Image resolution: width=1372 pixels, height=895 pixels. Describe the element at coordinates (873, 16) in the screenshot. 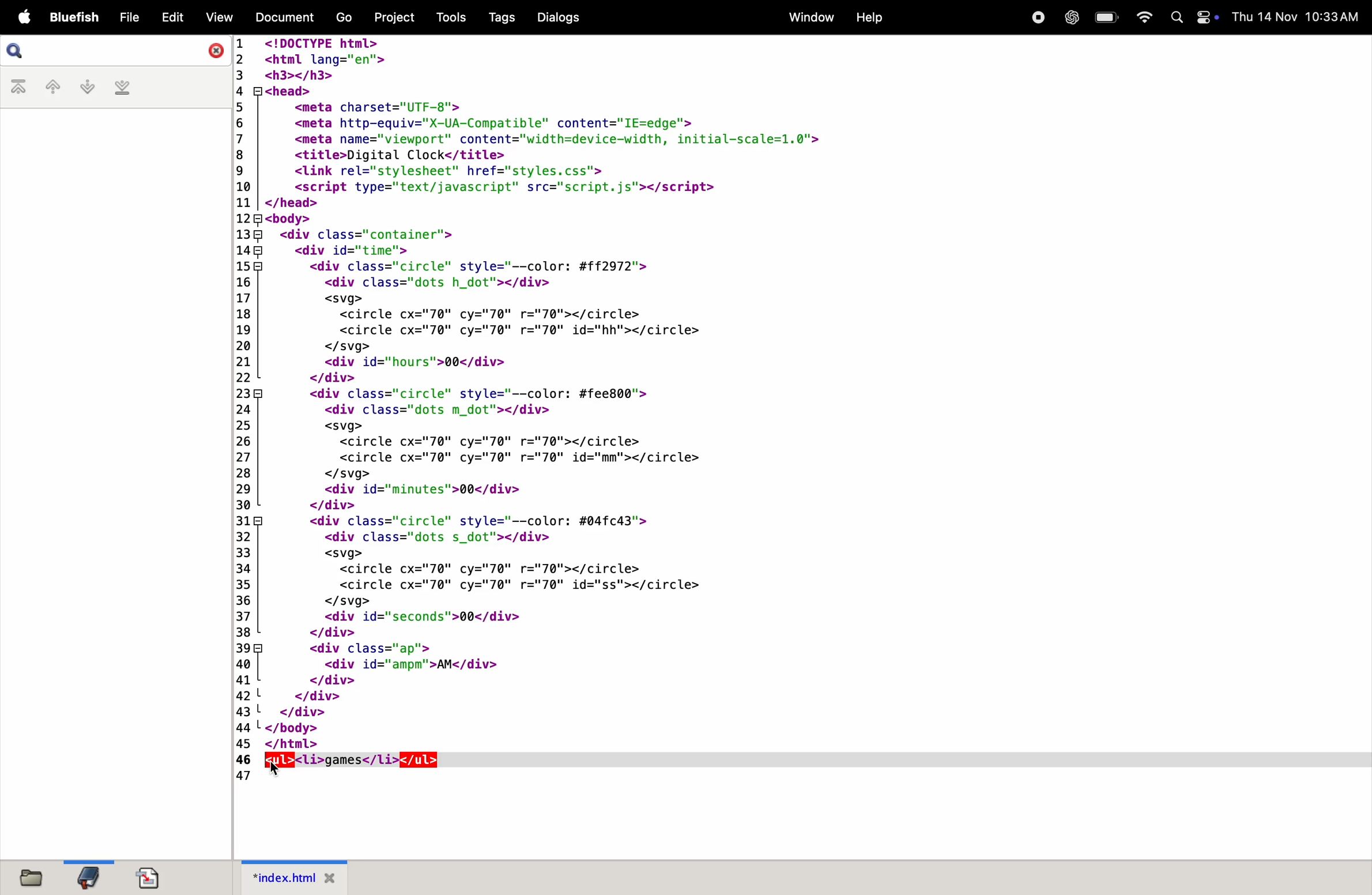

I see `help` at that location.